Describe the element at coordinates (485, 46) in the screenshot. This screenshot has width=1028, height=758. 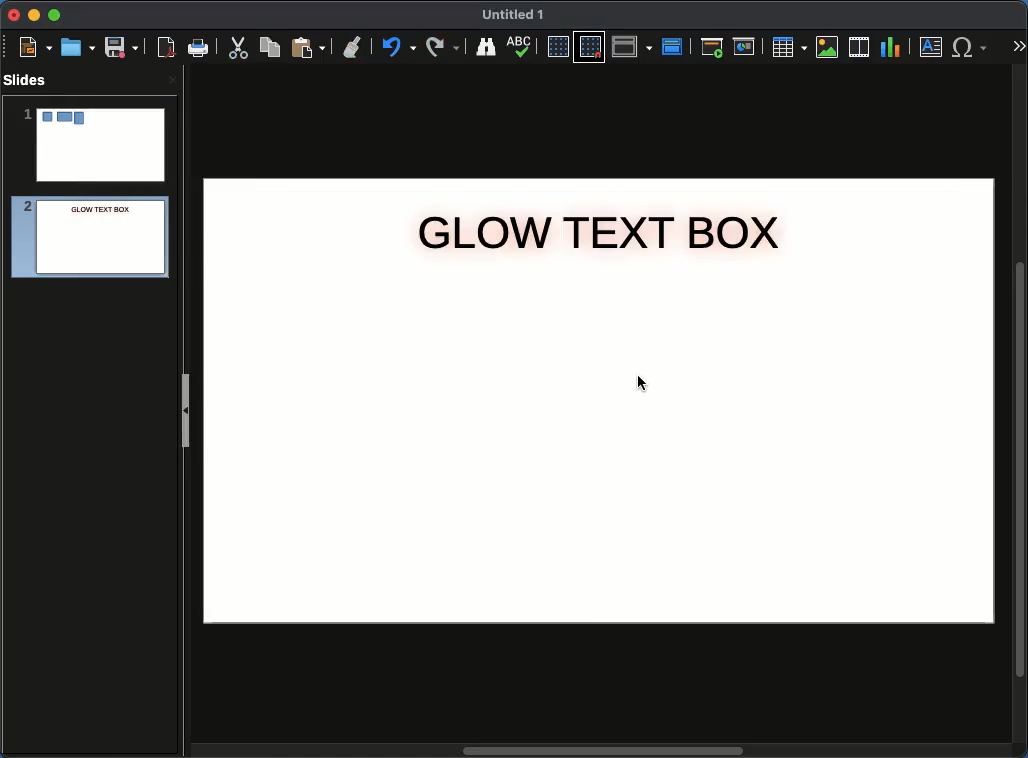
I see `Find` at that location.